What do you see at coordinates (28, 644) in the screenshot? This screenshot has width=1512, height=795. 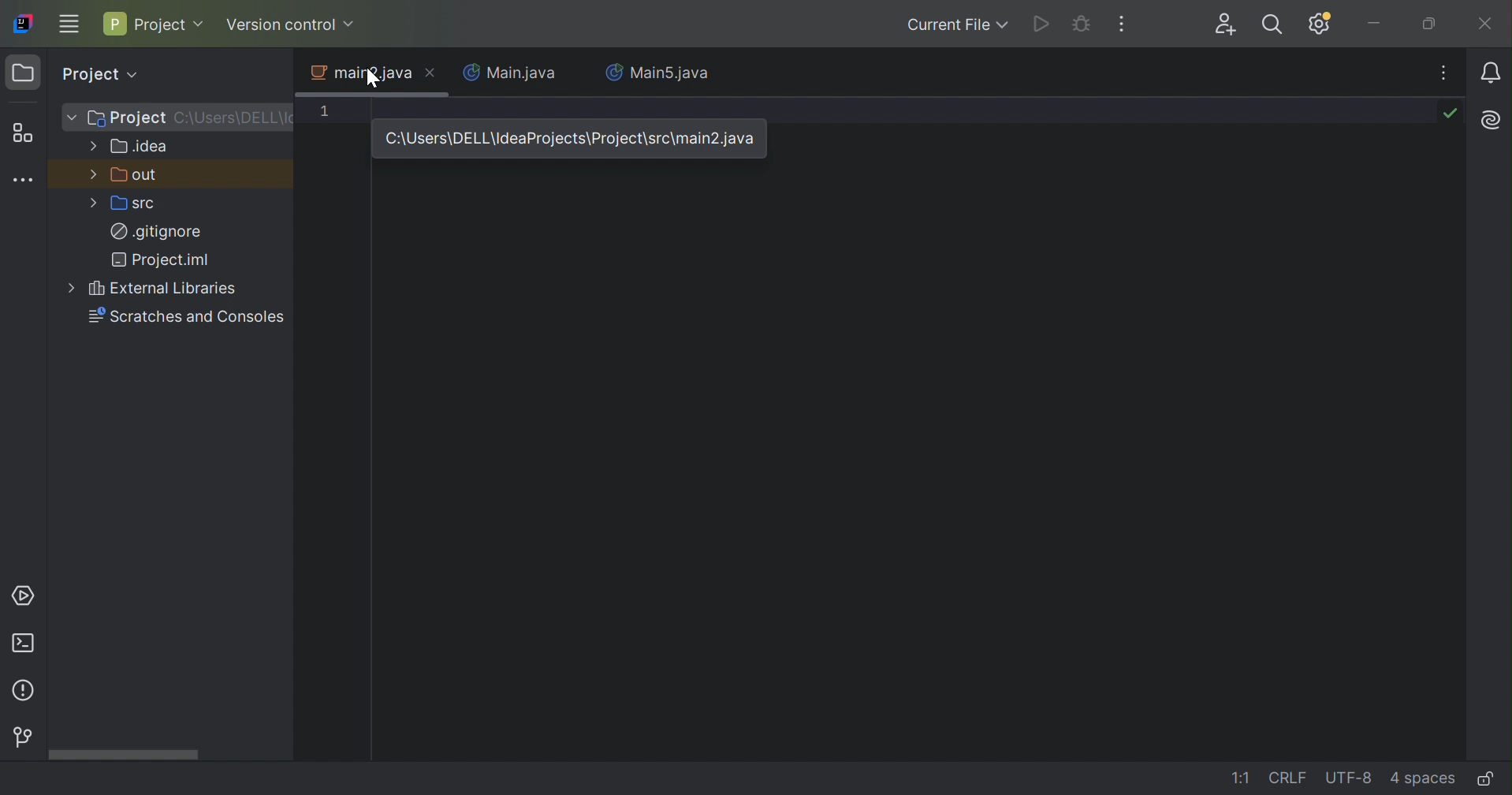 I see `Terminal` at bounding box center [28, 644].